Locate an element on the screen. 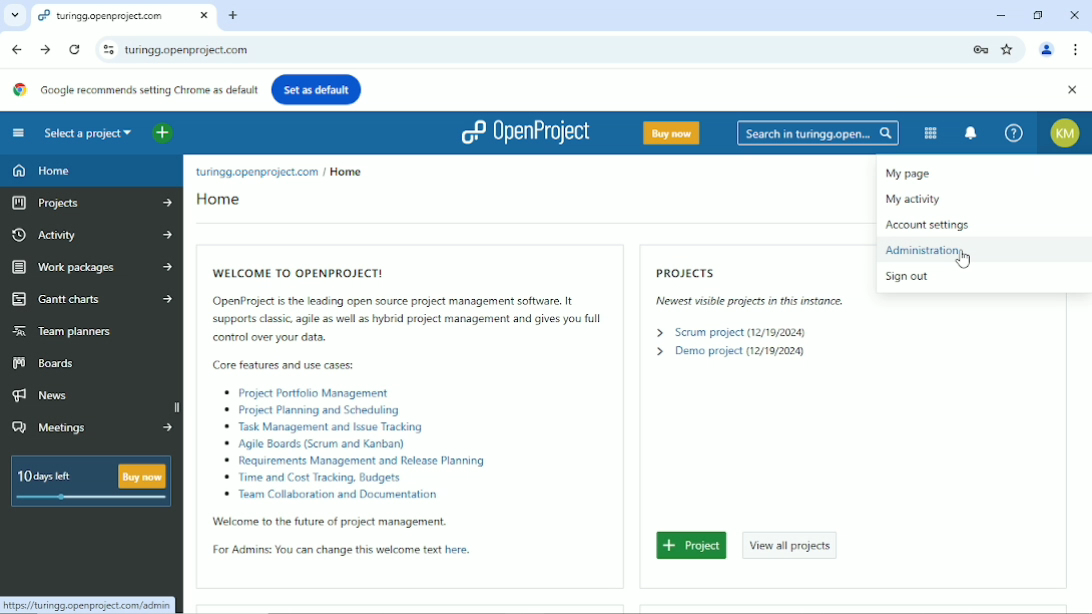  cursor is located at coordinates (962, 261).